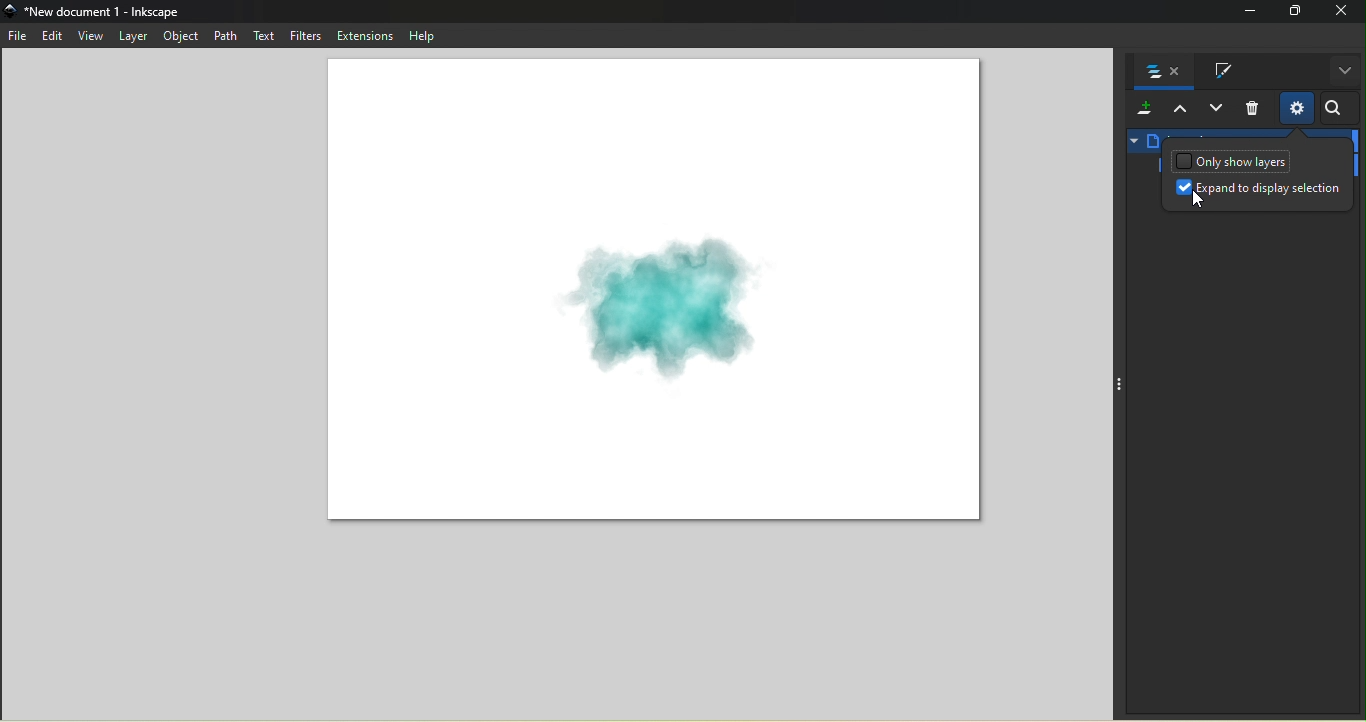  Describe the element at coordinates (1245, 12) in the screenshot. I see `Minimize` at that location.